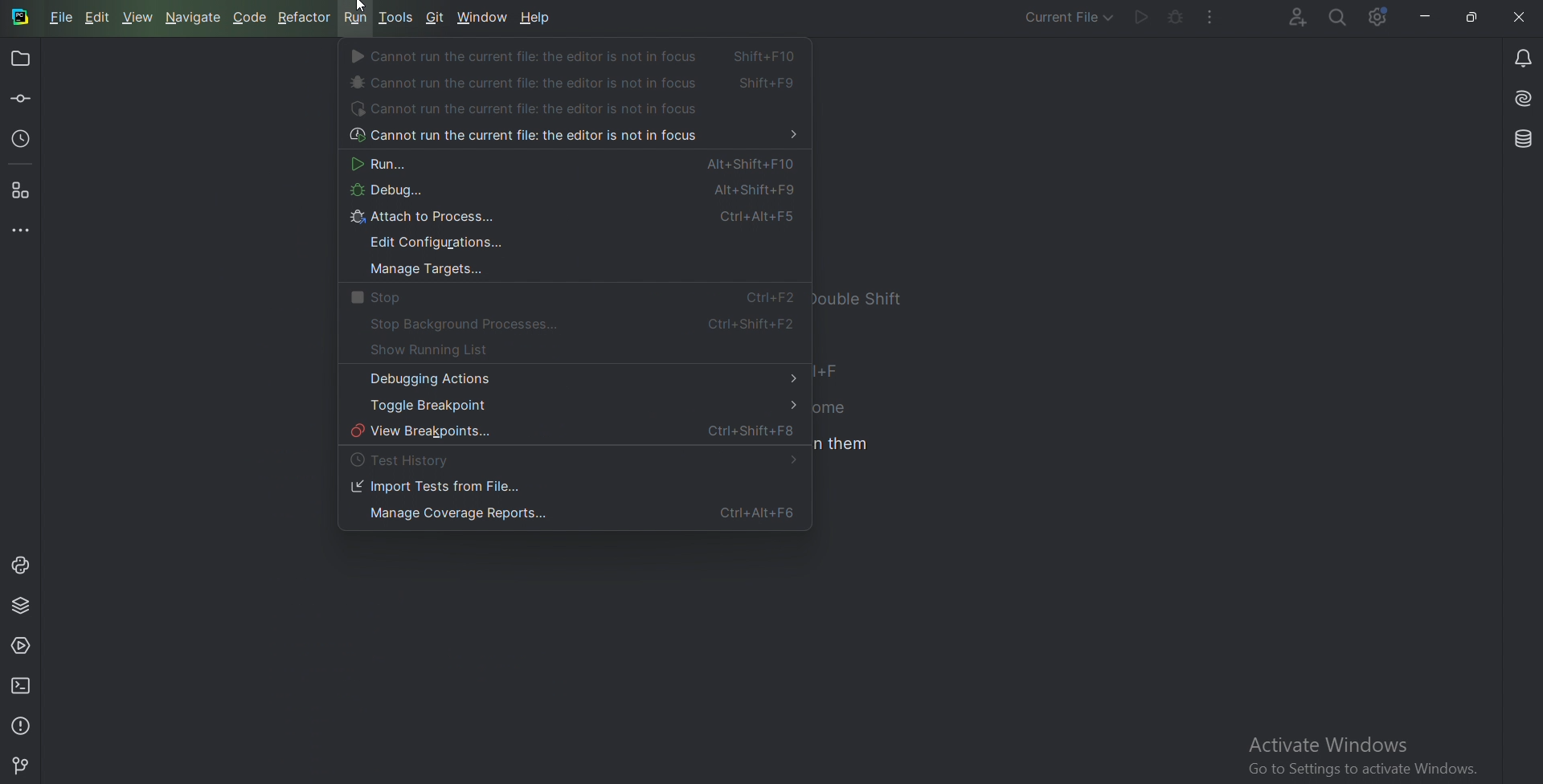  Describe the element at coordinates (1174, 18) in the screenshot. I see `Debug` at that location.